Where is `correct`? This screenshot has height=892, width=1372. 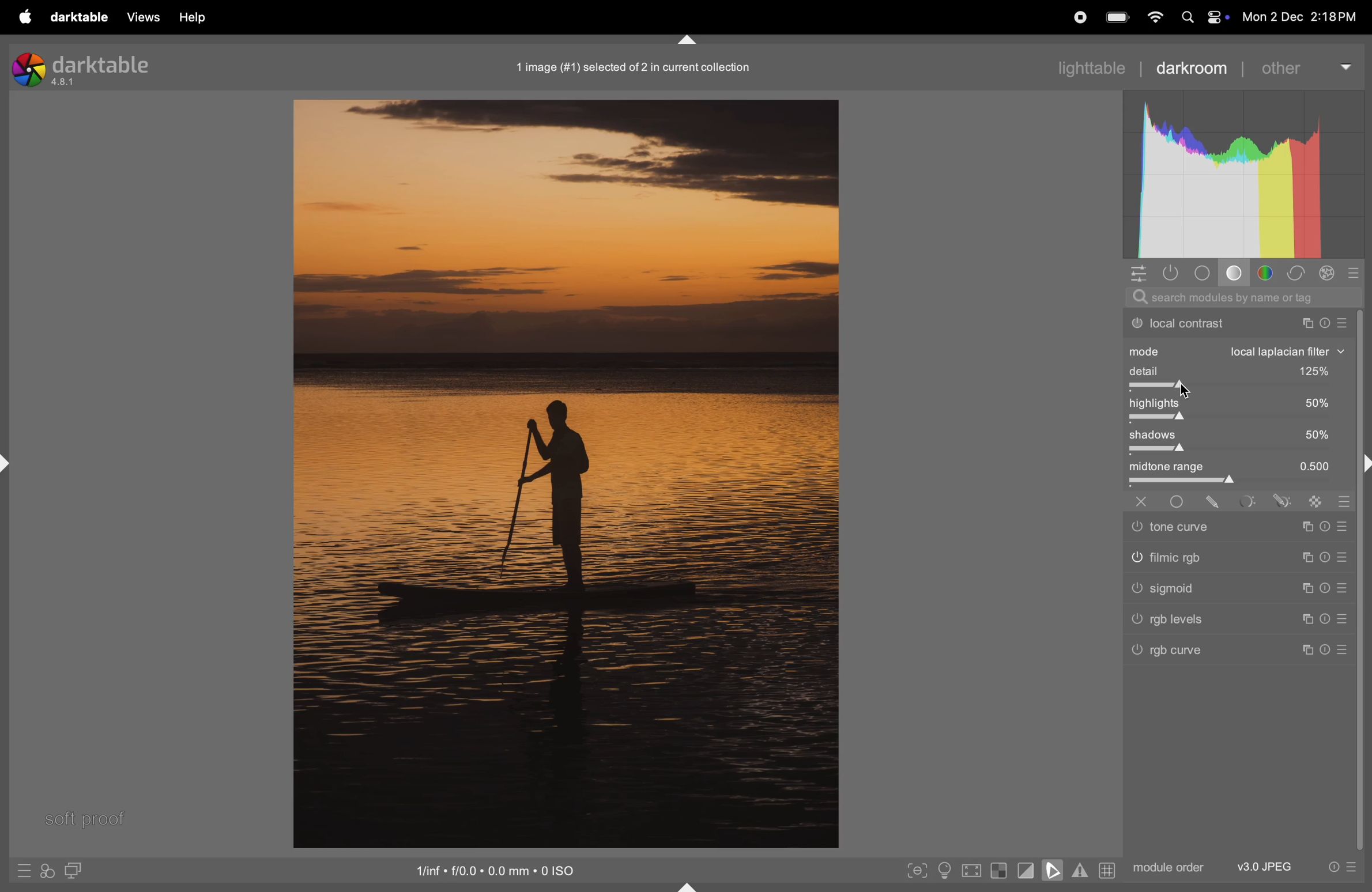
correct is located at coordinates (1299, 273).